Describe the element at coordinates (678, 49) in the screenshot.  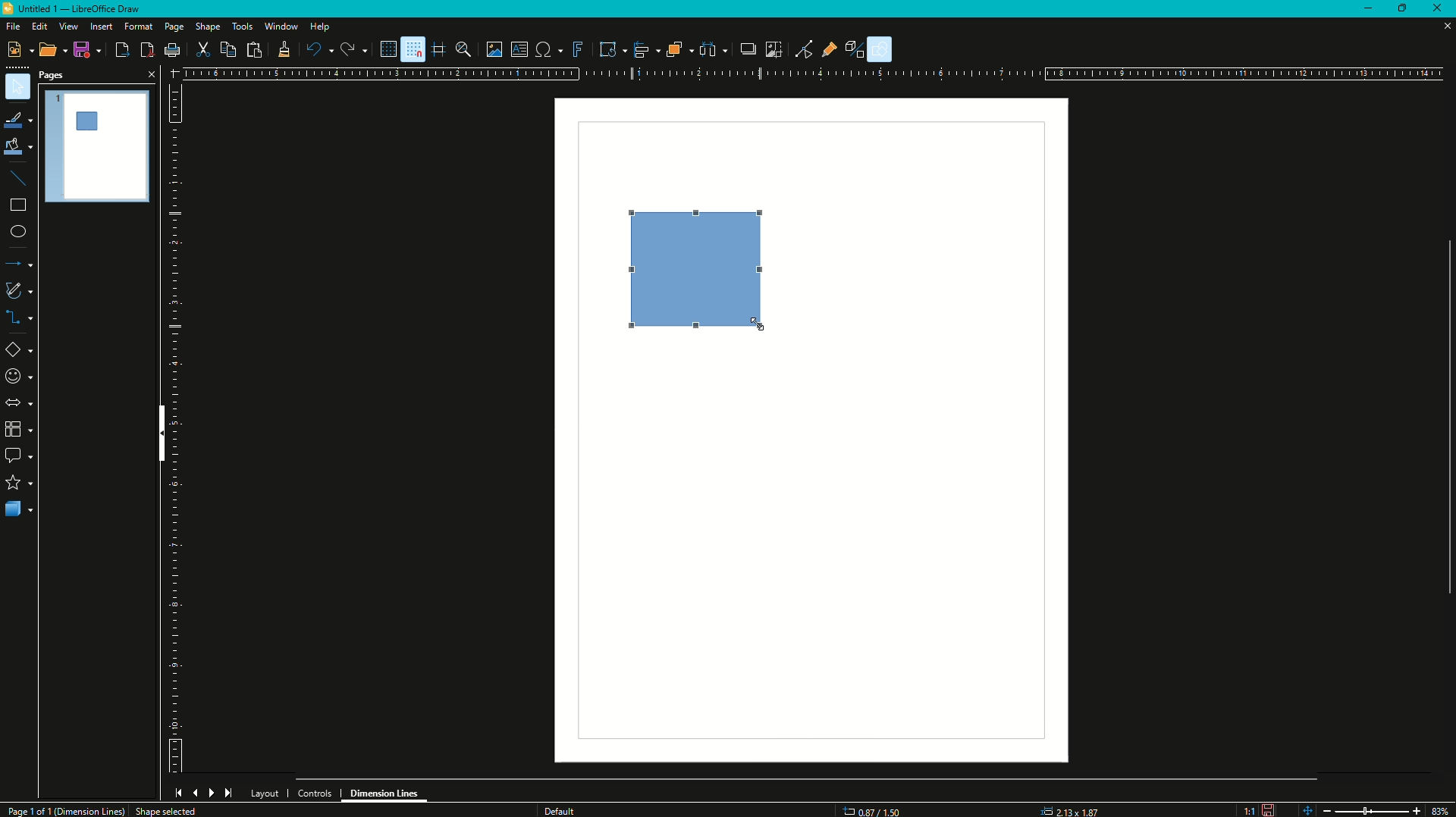
I see `Arrange` at that location.